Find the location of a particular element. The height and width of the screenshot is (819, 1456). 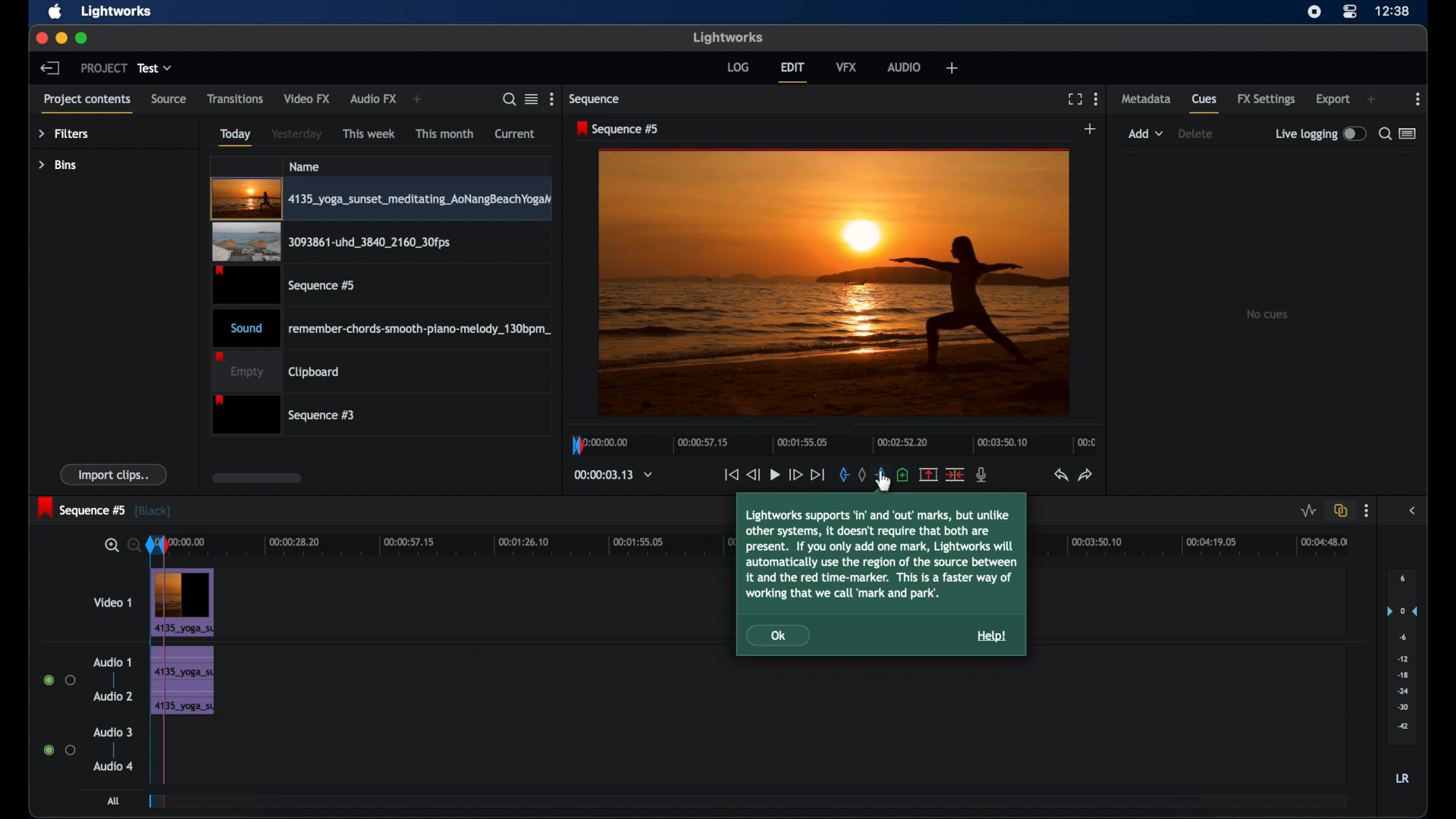

side bar is located at coordinates (1414, 510).